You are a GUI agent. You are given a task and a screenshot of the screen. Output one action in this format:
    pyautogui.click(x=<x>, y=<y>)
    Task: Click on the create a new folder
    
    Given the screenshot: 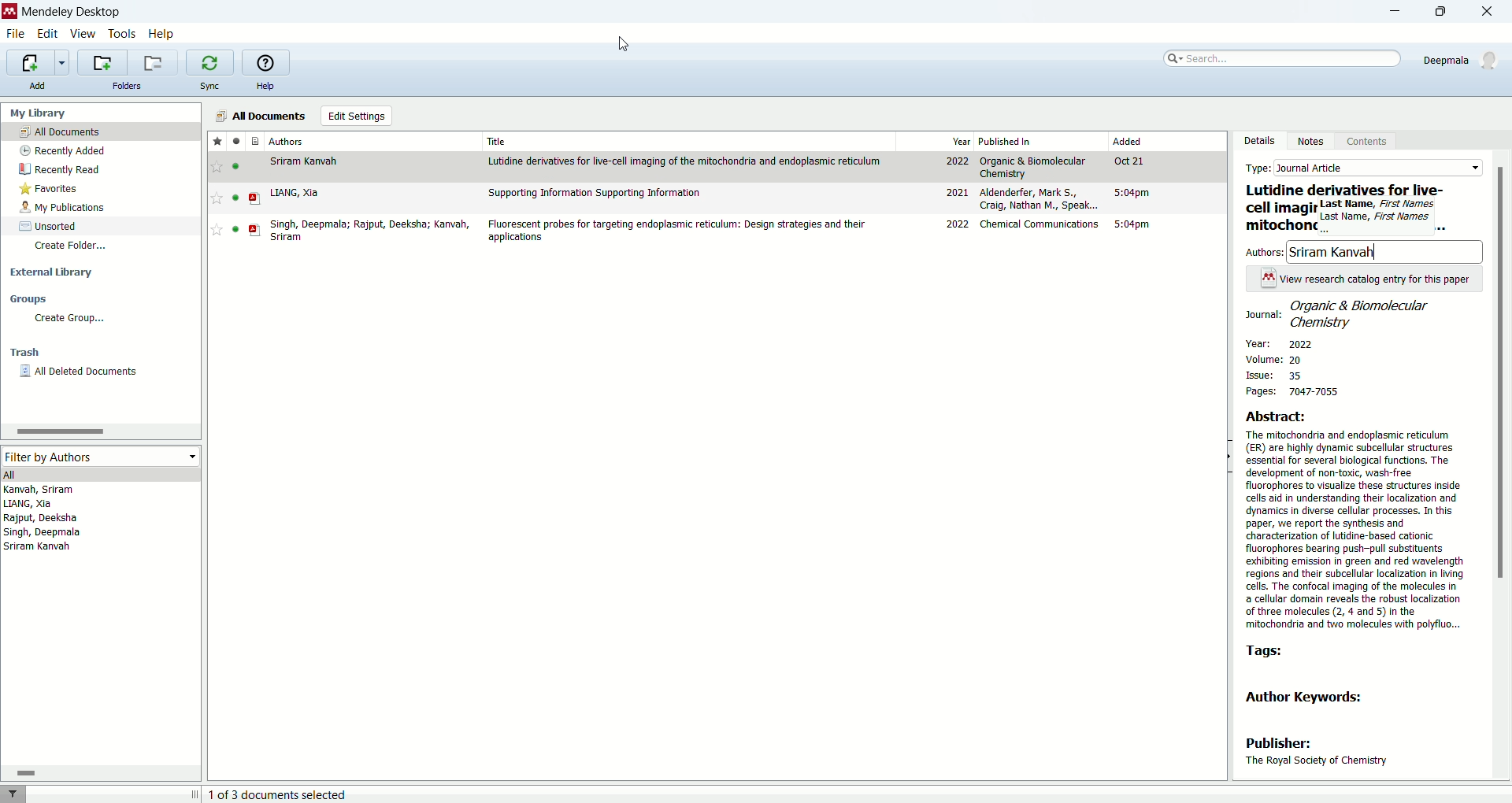 What is the action you would take?
    pyautogui.click(x=103, y=63)
    